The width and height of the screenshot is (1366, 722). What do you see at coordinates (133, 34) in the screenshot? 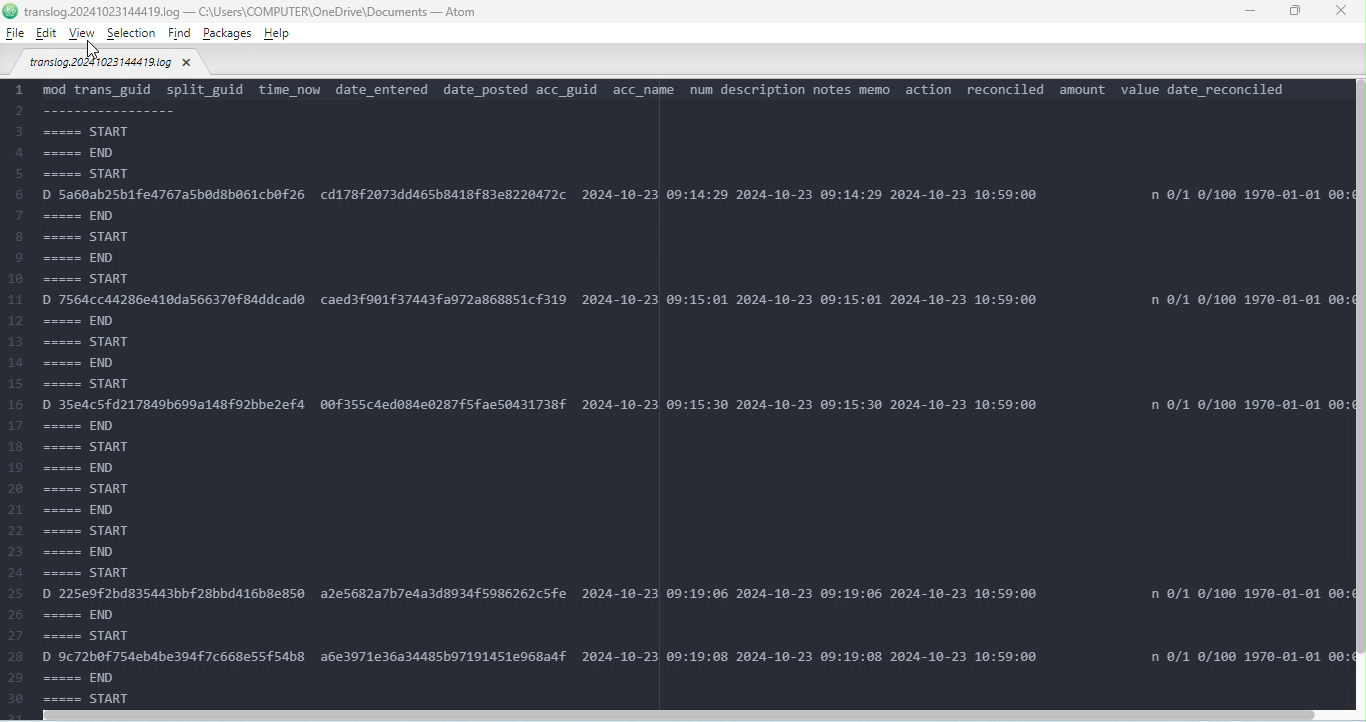
I see `Selection` at bounding box center [133, 34].